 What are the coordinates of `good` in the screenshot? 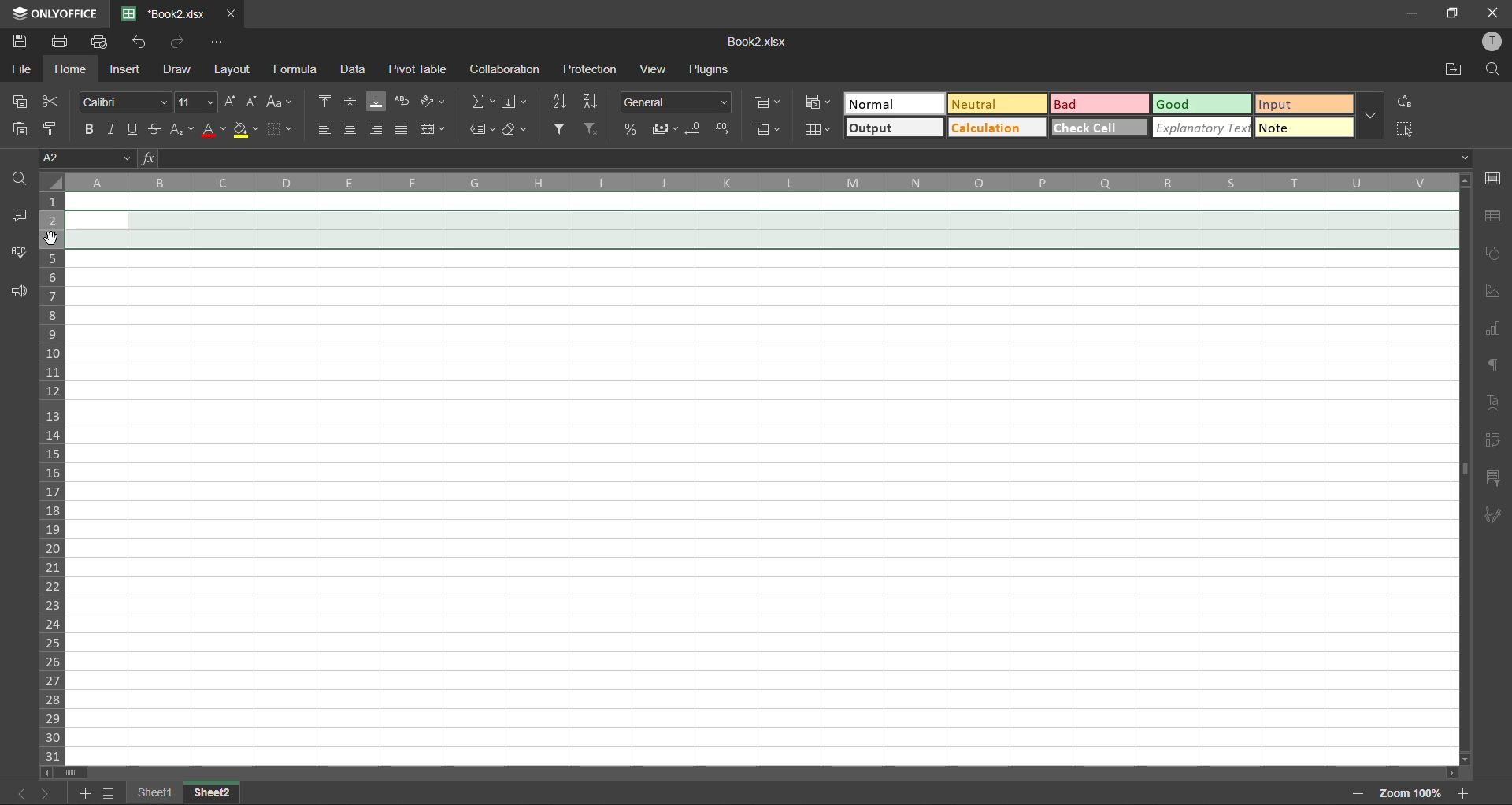 It's located at (1204, 103).